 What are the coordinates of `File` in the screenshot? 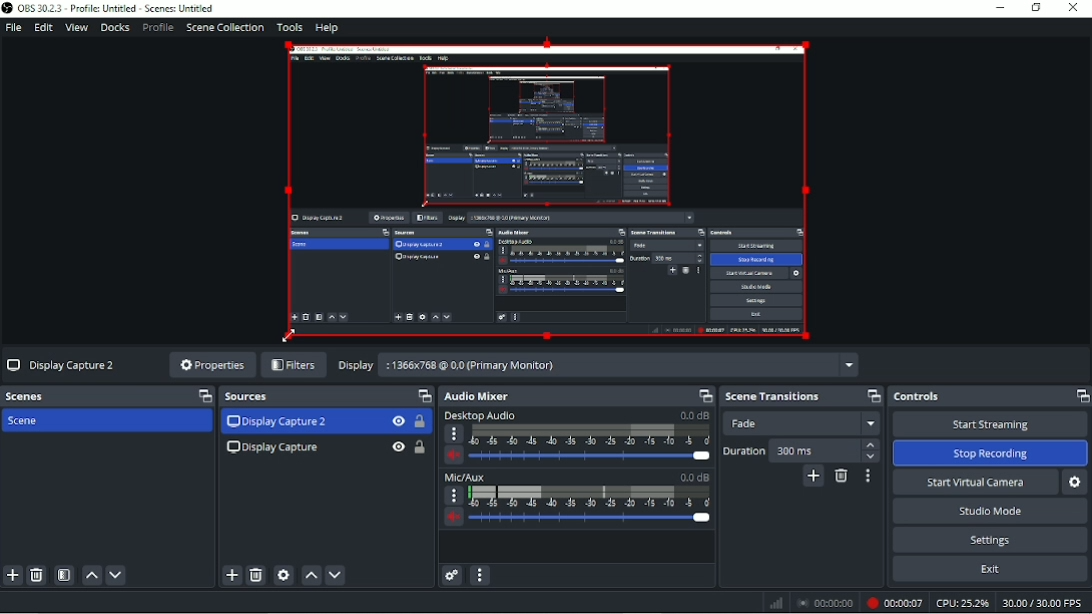 It's located at (14, 28).